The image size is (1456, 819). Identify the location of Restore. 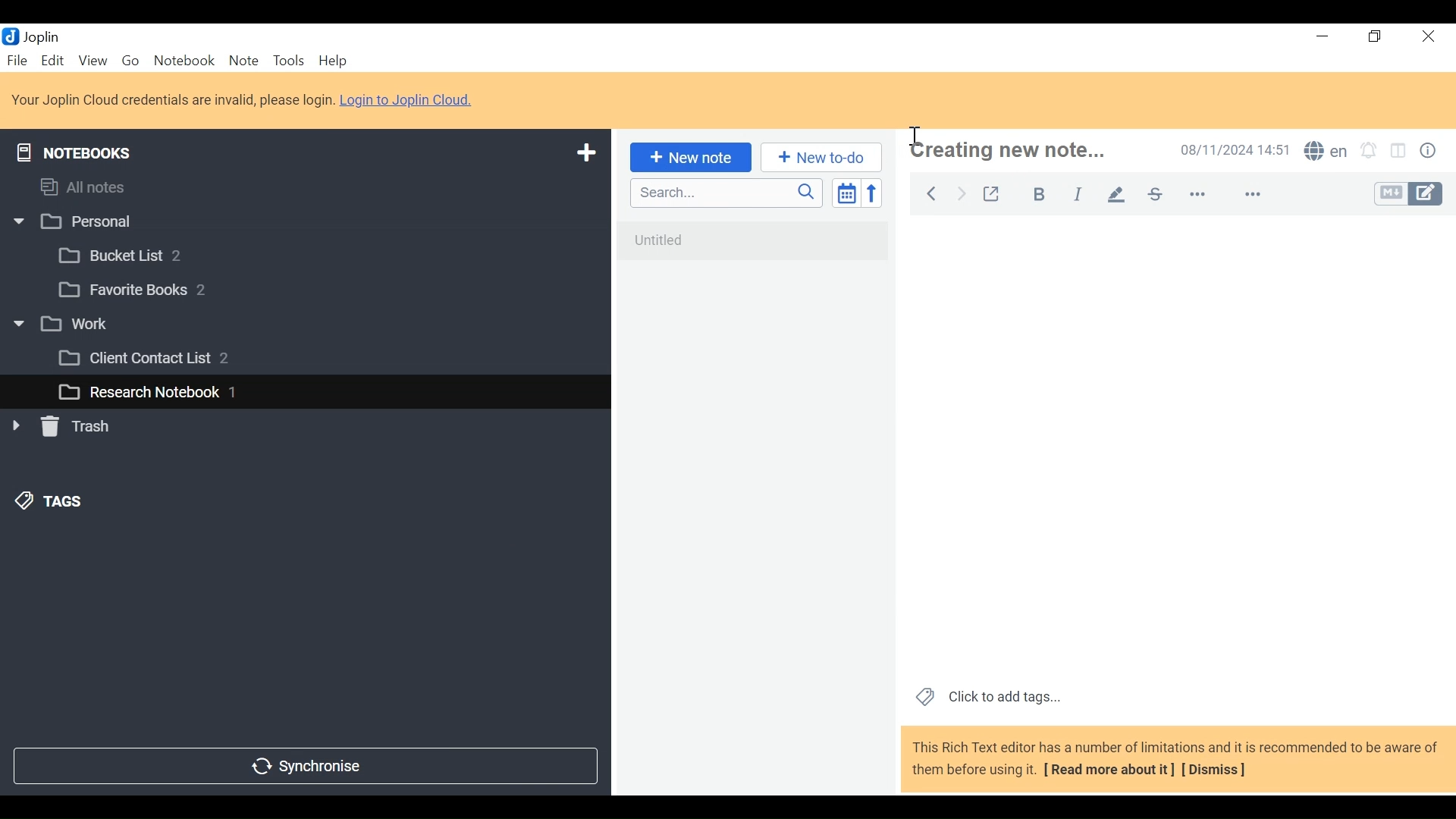
(1376, 37).